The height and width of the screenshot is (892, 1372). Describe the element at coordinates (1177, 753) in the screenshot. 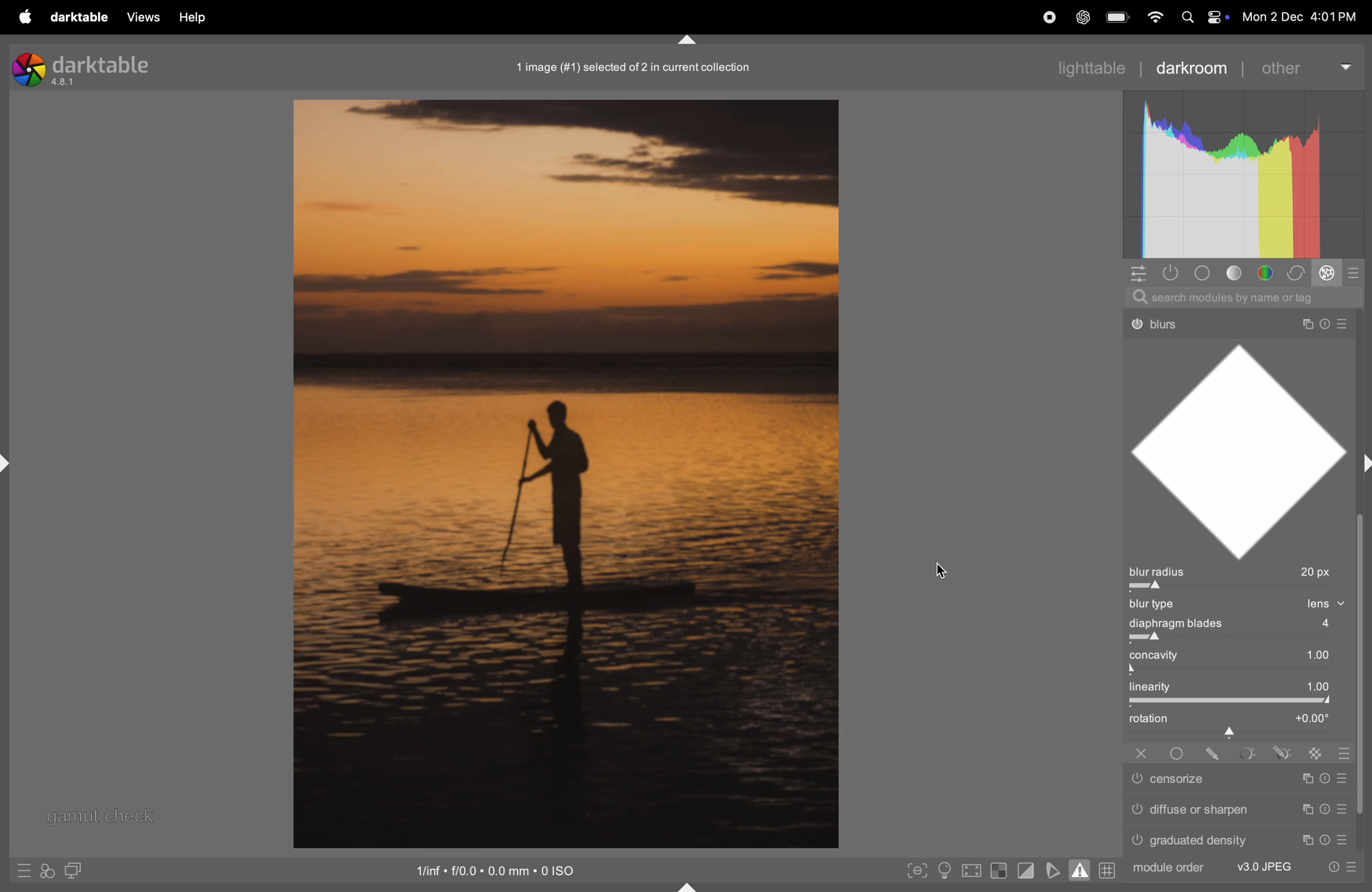

I see `` at that location.